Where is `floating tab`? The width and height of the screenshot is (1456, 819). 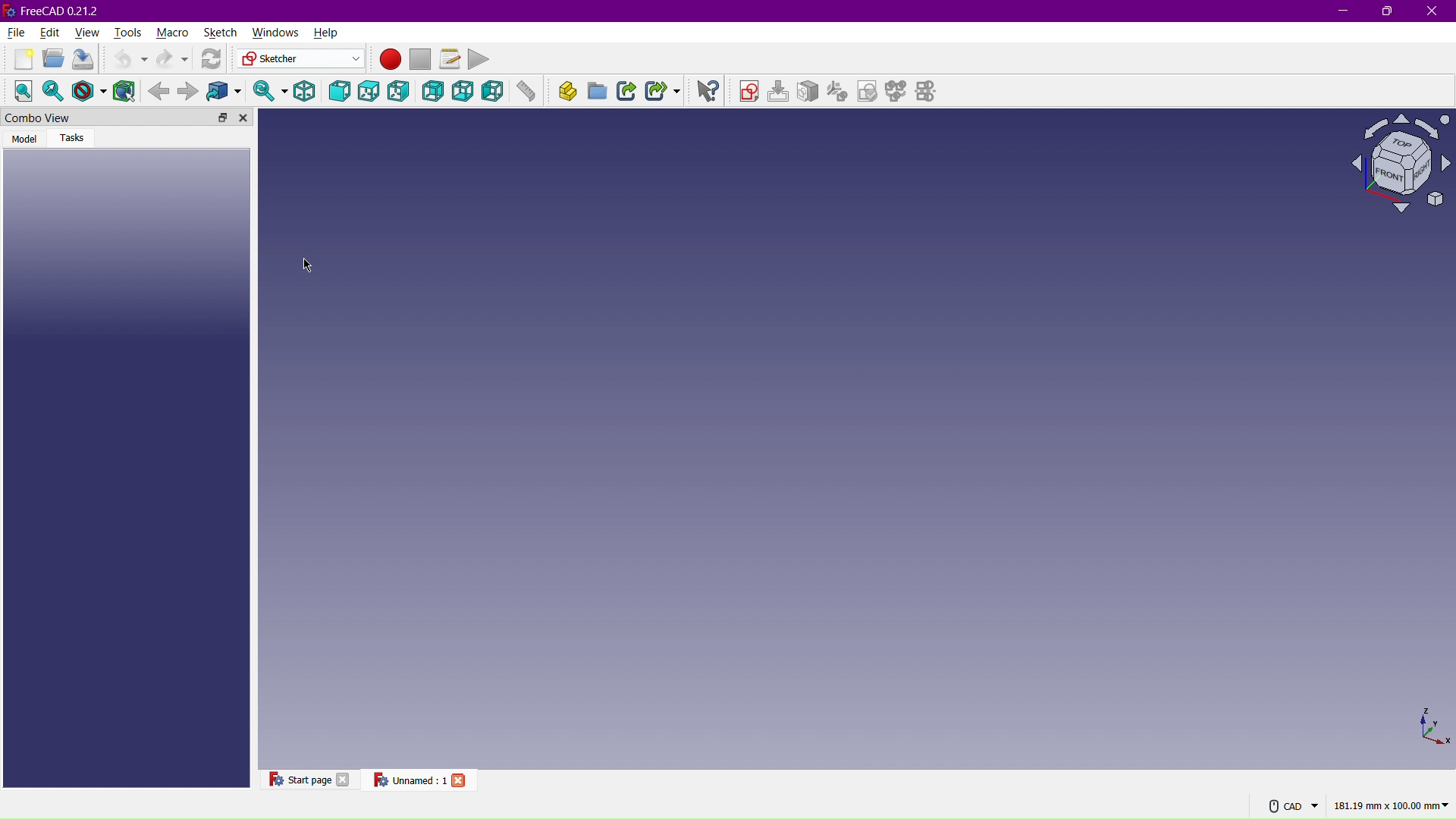
floating tab is located at coordinates (223, 117).